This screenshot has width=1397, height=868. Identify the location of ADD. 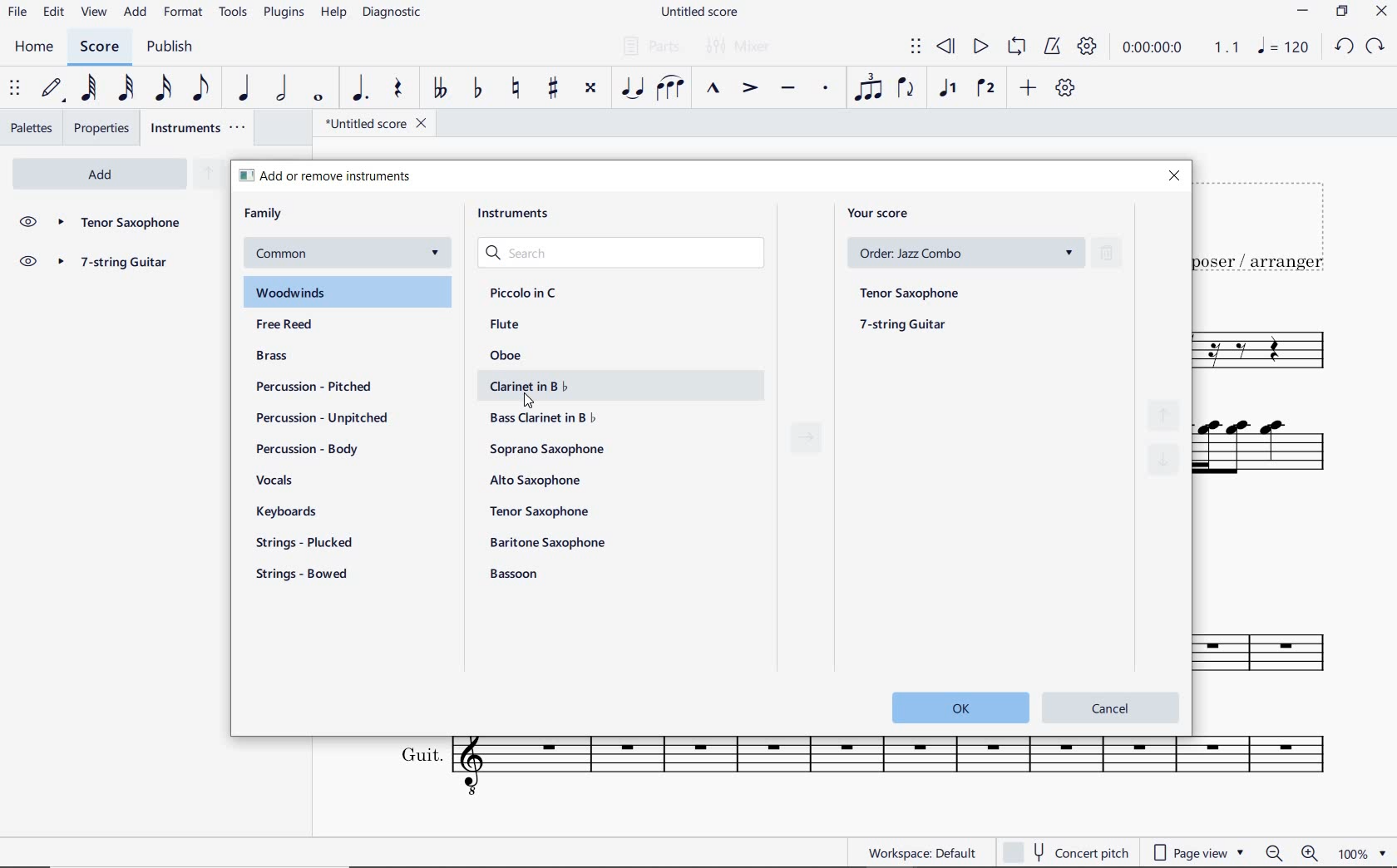
(136, 13).